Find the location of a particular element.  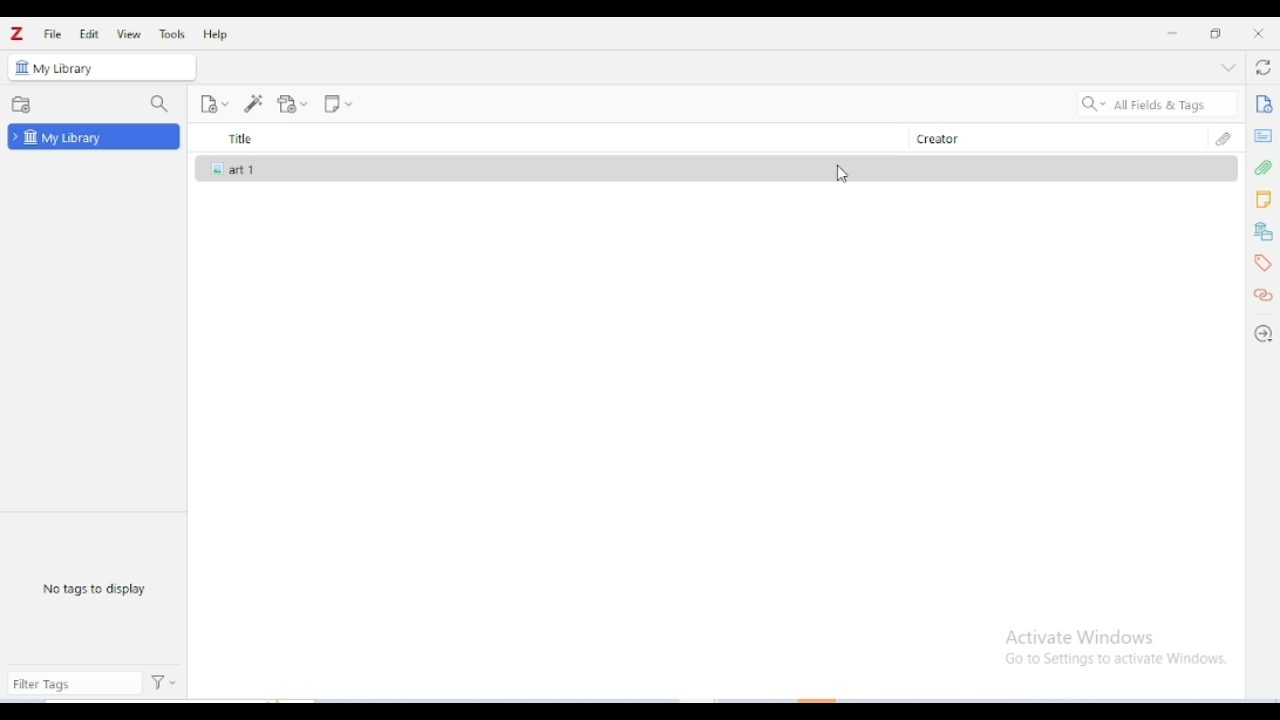

info is located at coordinates (1264, 104).